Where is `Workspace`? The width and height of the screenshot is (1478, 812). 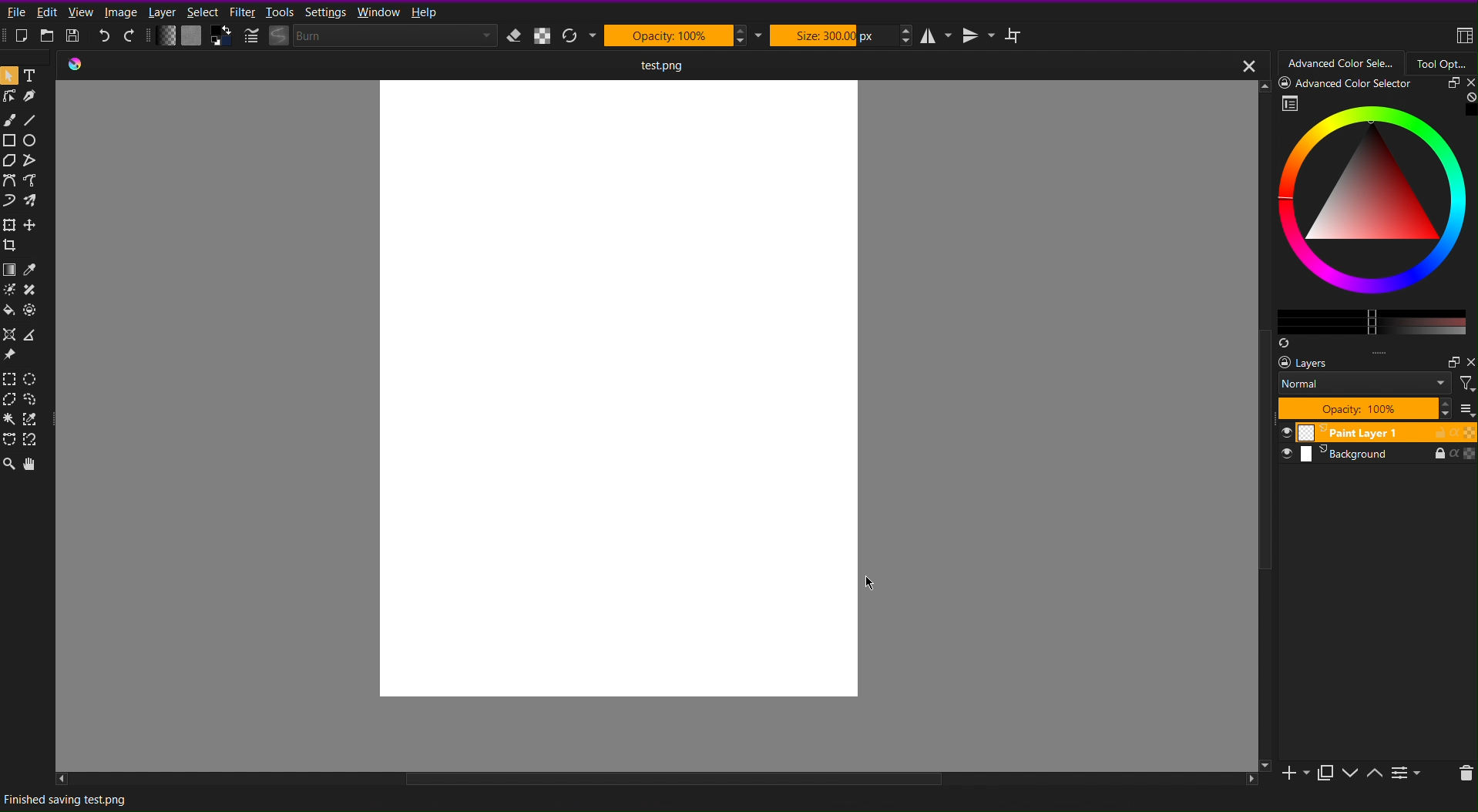
Workspace is located at coordinates (1463, 37).